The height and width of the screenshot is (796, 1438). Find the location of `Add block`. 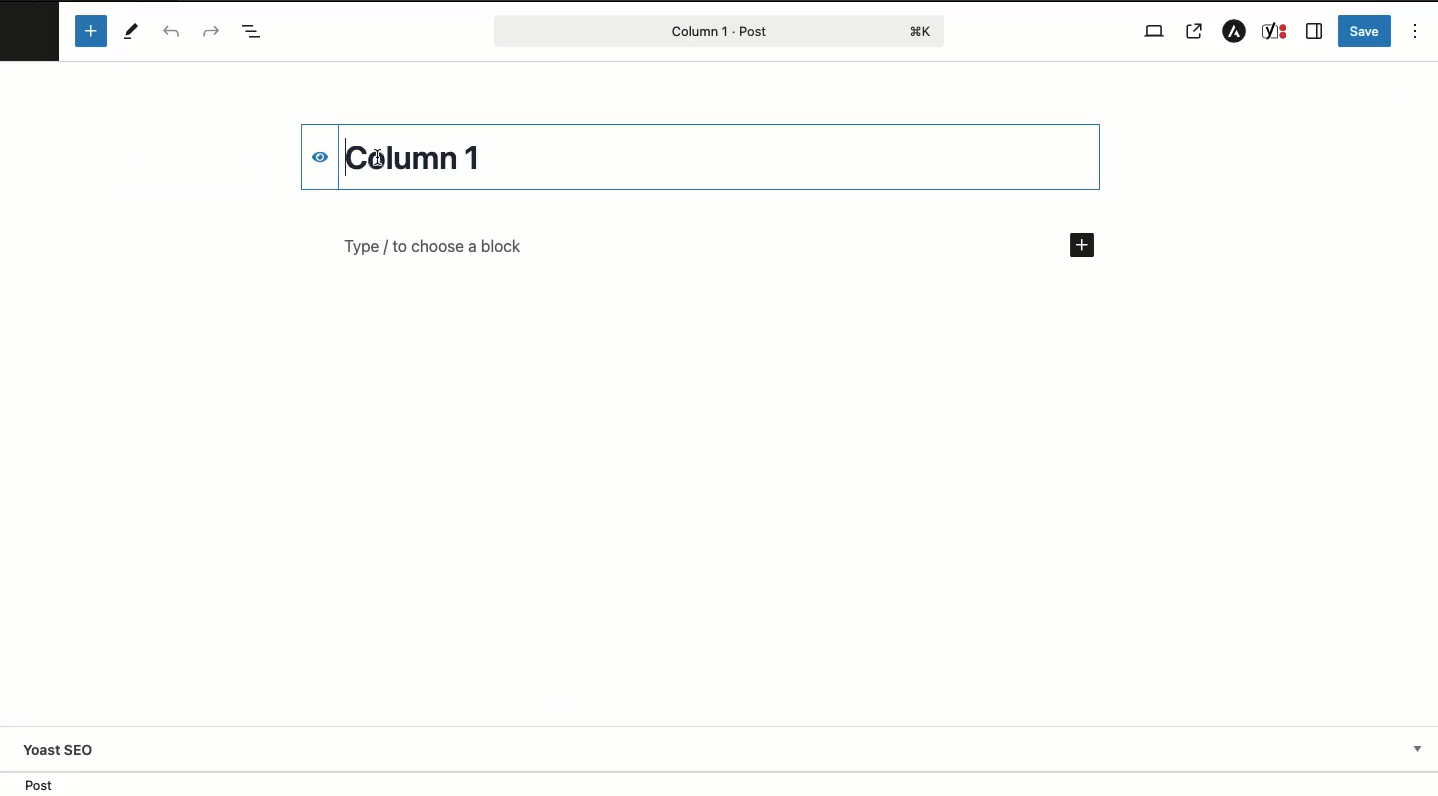

Add block is located at coordinates (90, 31).